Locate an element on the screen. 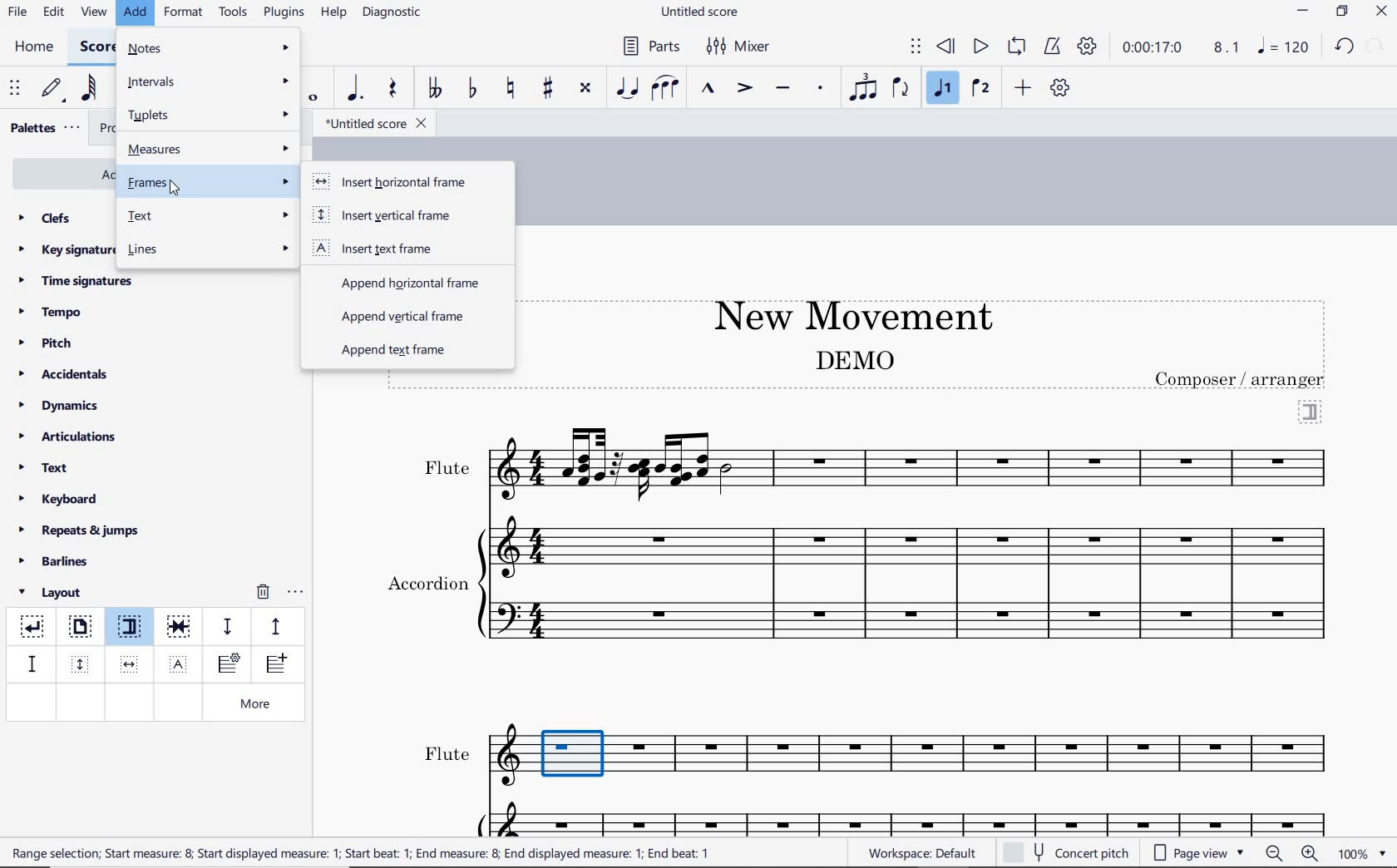 This screenshot has width=1397, height=868. restore down is located at coordinates (1343, 12).